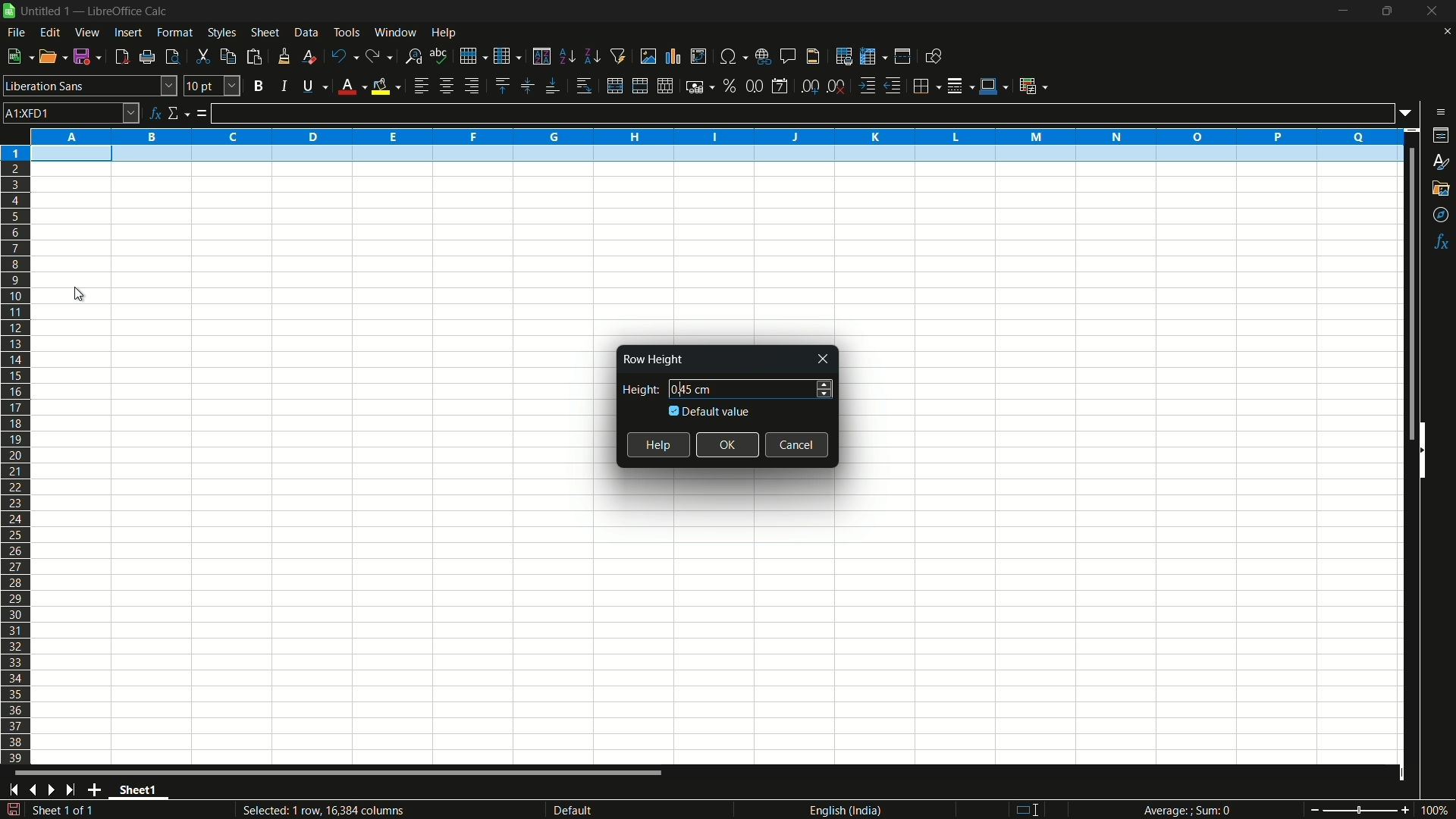  Describe the element at coordinates (708, 155) in the screenshot. I see `selected row` at that location.